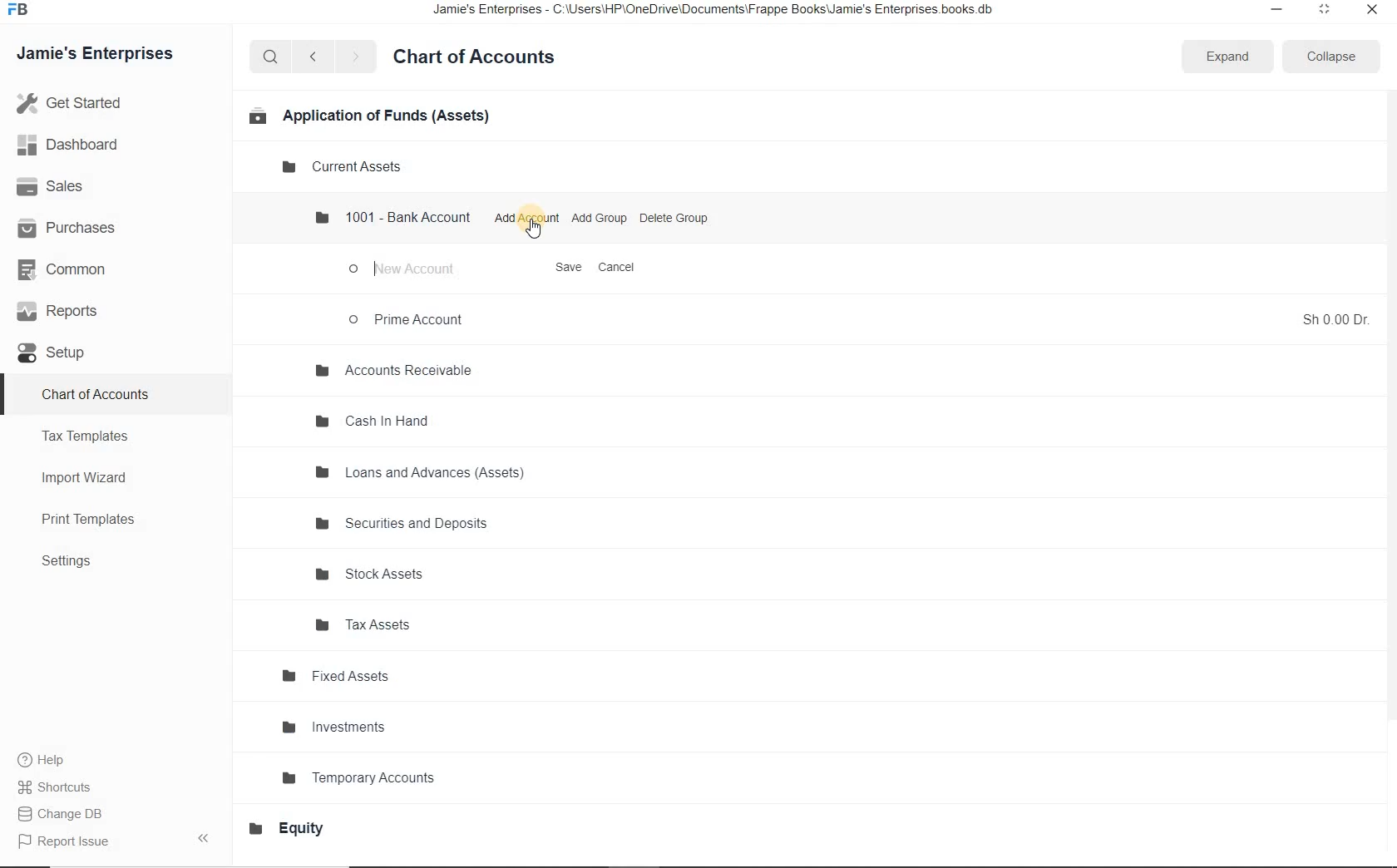 The image size is (1397, 868). What do you see at coordinates (406, 525) in the screenshot?
I see `Securities and Deposits` at bounding box center [406, 525].